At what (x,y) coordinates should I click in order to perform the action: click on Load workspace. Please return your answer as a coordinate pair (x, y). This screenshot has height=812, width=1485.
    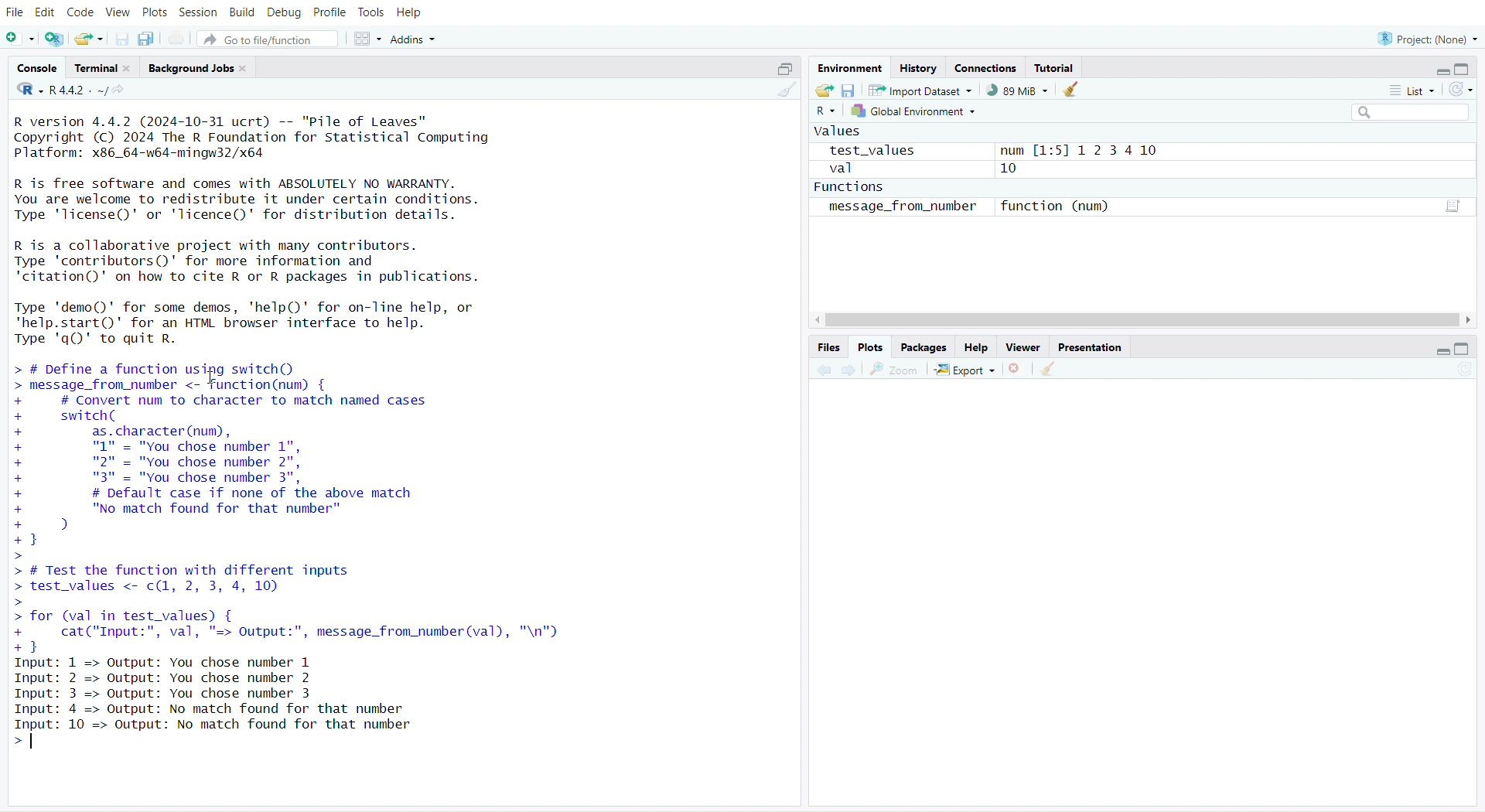
    Looking at the image, I should click on (824, 91).